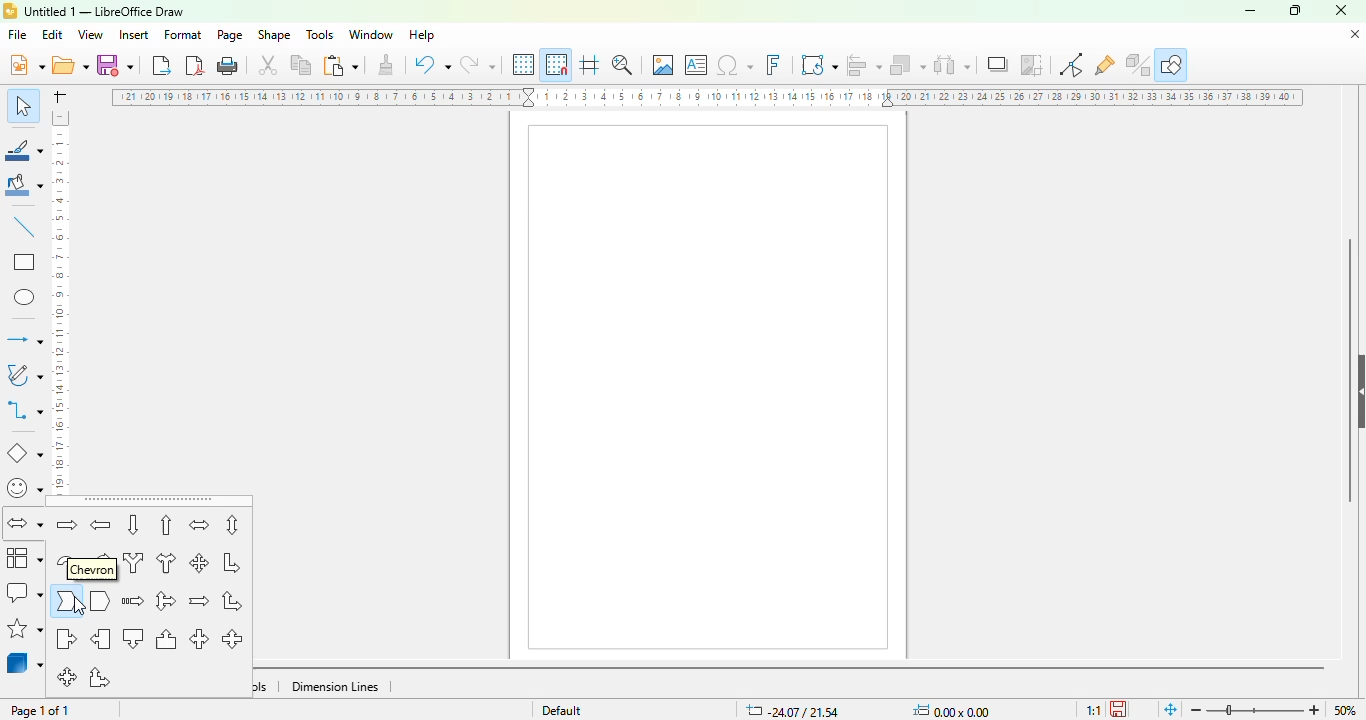 This screenshot has width=1366, height=720. What do you see at coordinates (232, 563) in the screenshot?
I see `corner right arrow` at bounding box center [232, 563].